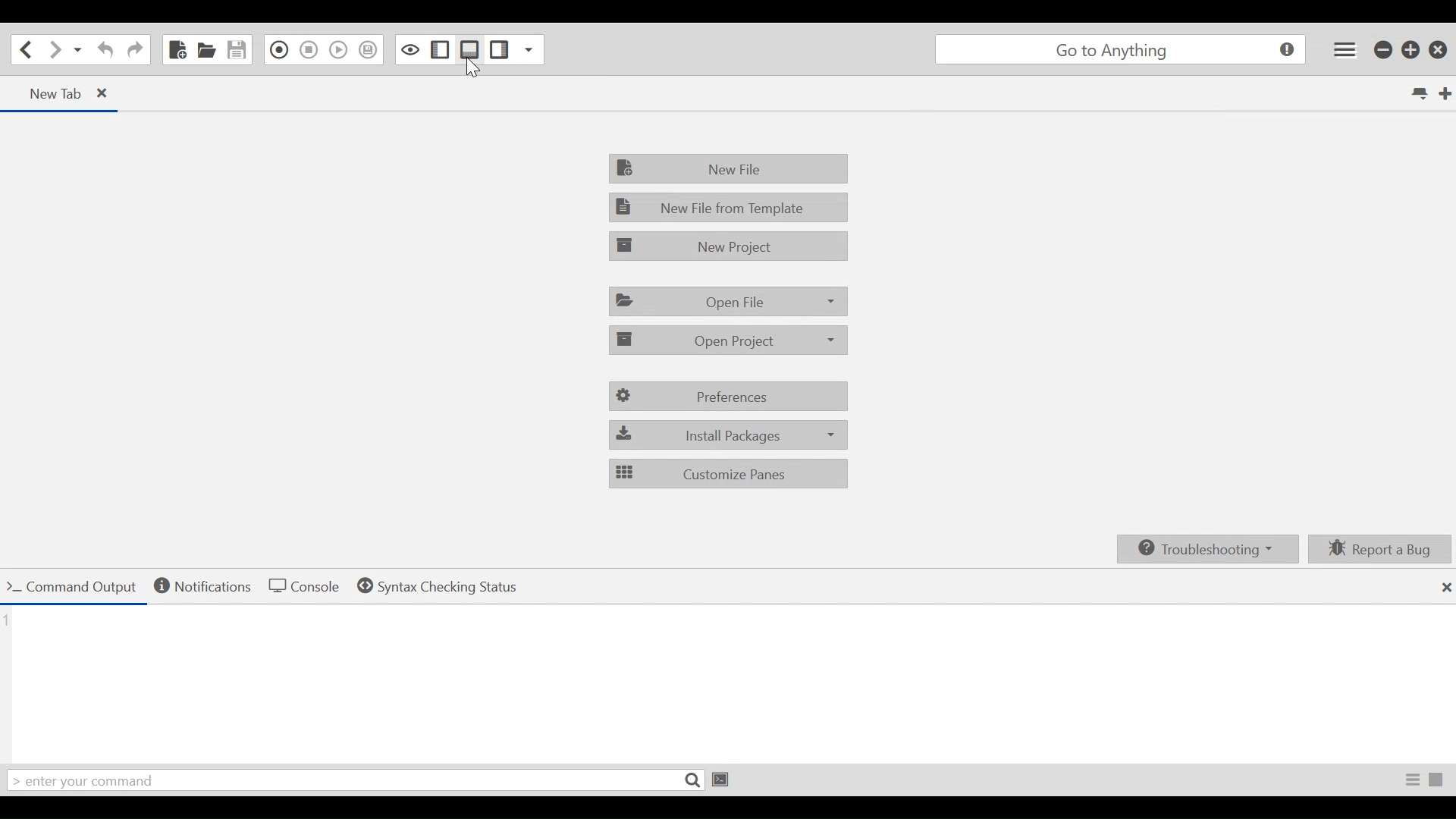 Image resolution: width=1456 pixels, height=819 pixels. What do you see at coordinates (727, 475) in the screenshot?
I see `Customize Panes` at bounding box center [727, 475].